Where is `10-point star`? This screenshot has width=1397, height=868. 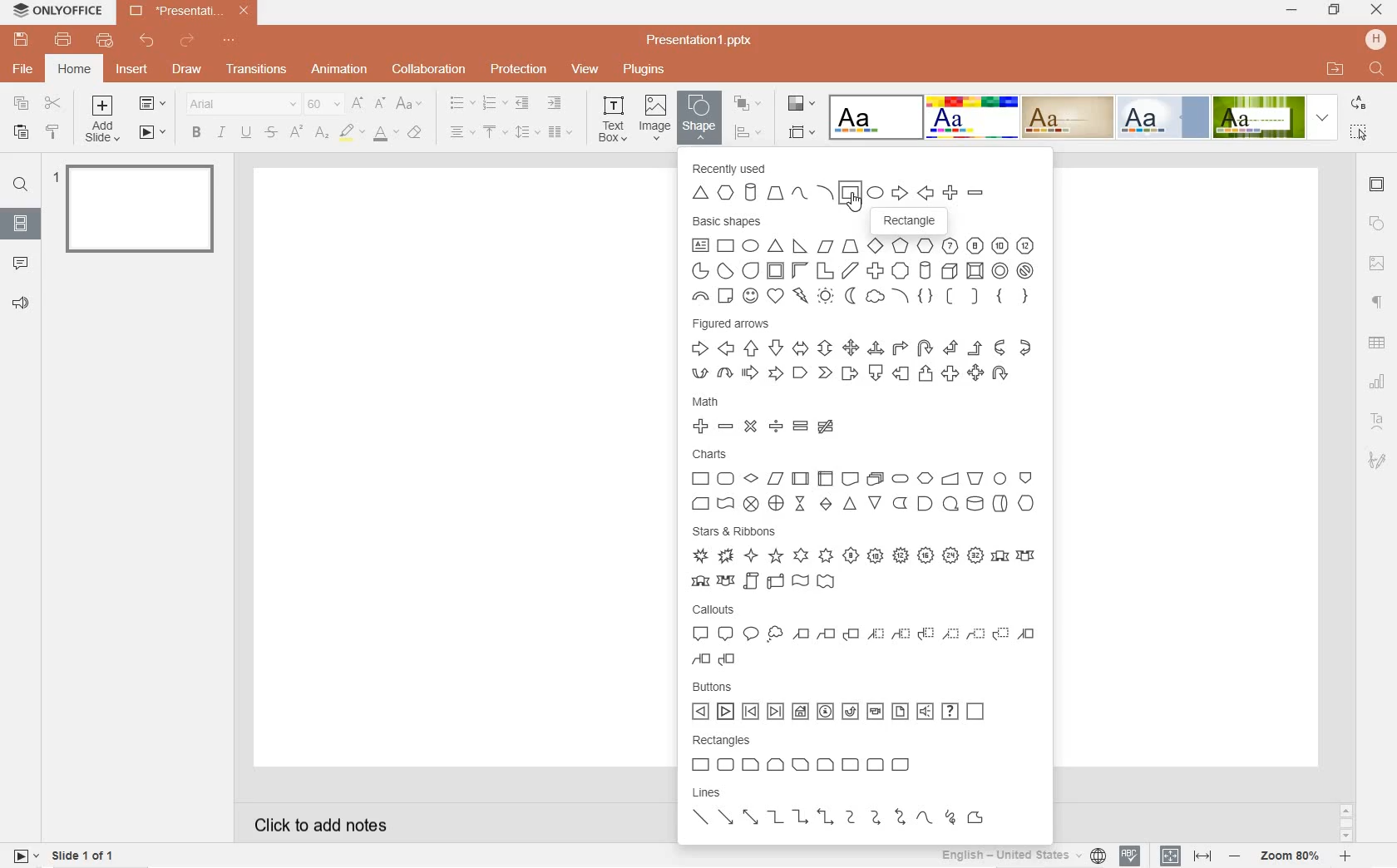
10-point star is located at coordinates (876, 556).